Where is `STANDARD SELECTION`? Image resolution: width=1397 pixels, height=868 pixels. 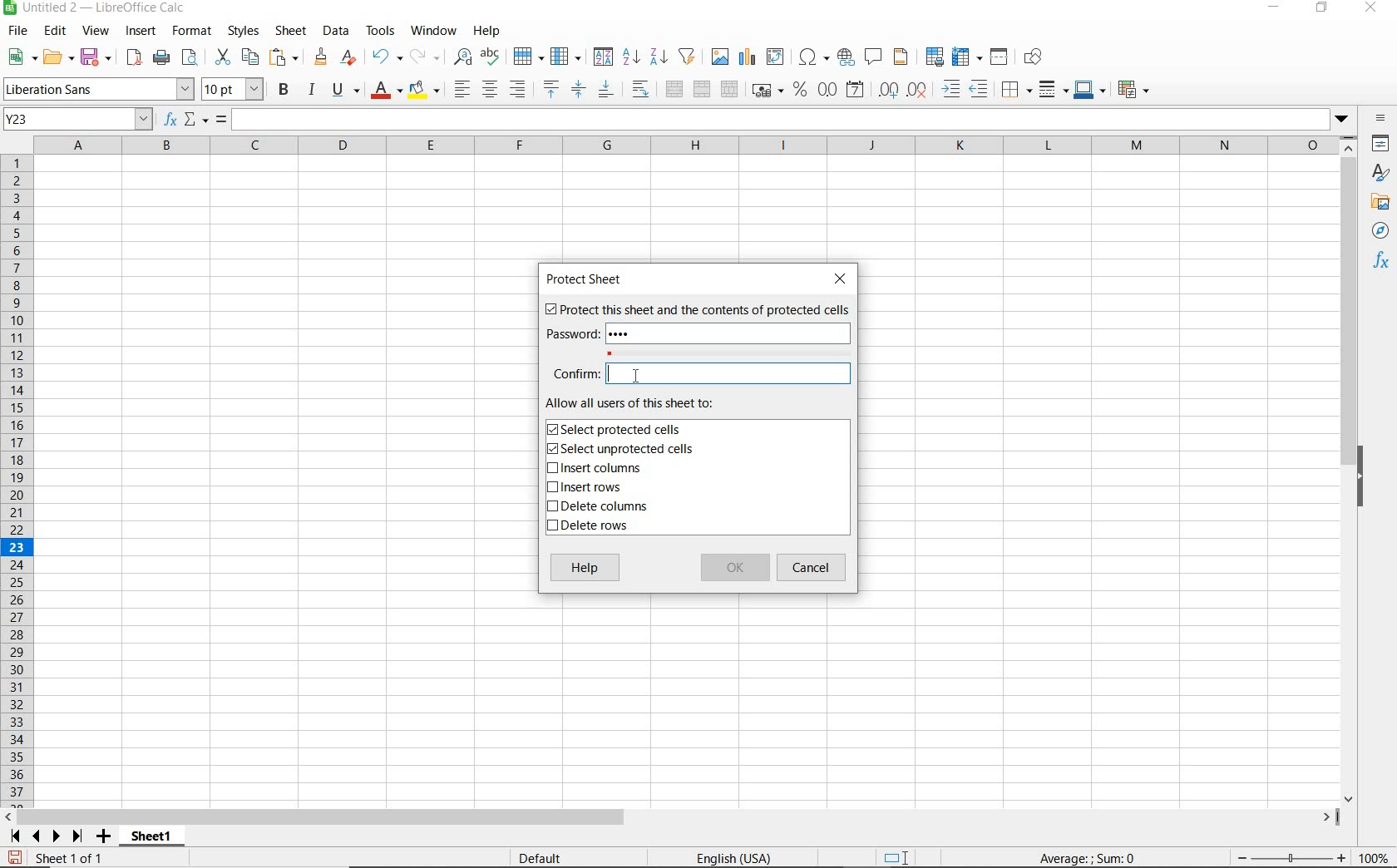 STANDARD SELECTION is located at coordinates (897, 858).